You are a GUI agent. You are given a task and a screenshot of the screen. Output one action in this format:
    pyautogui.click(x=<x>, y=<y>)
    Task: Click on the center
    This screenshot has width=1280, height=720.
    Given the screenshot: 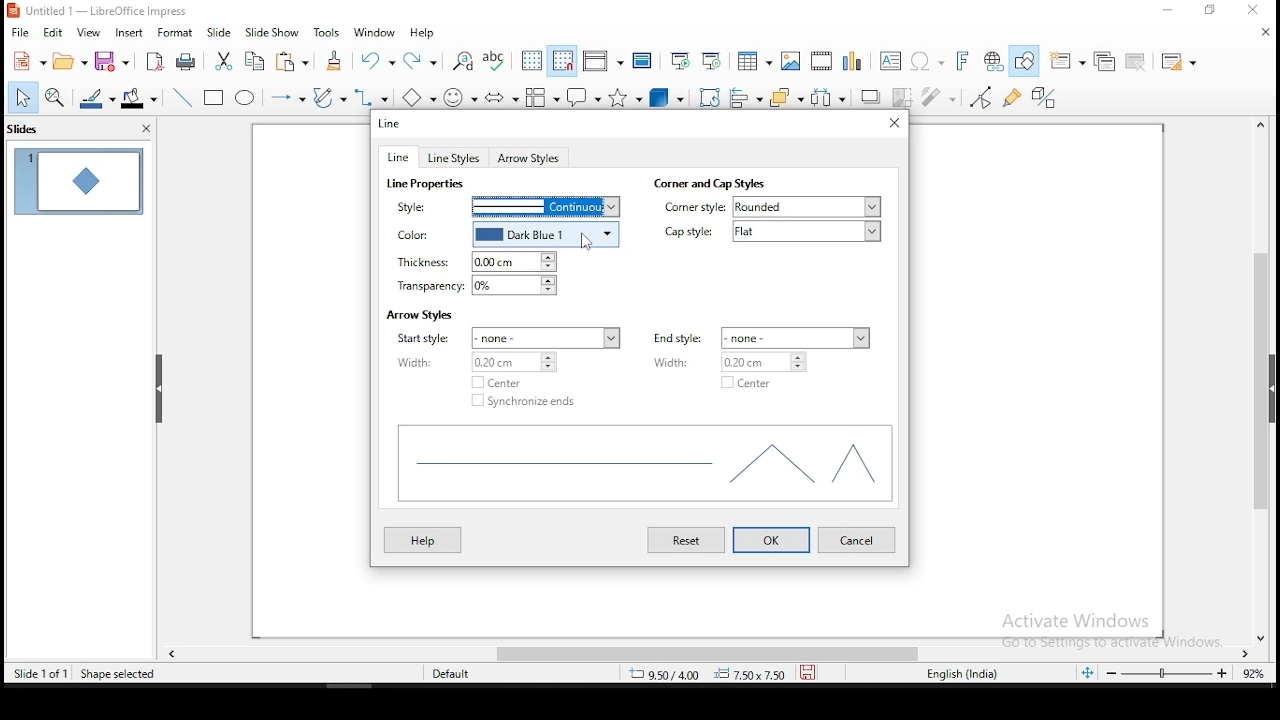 What is the action you would take?
    pyautogui.click(x=747, y=383)
    